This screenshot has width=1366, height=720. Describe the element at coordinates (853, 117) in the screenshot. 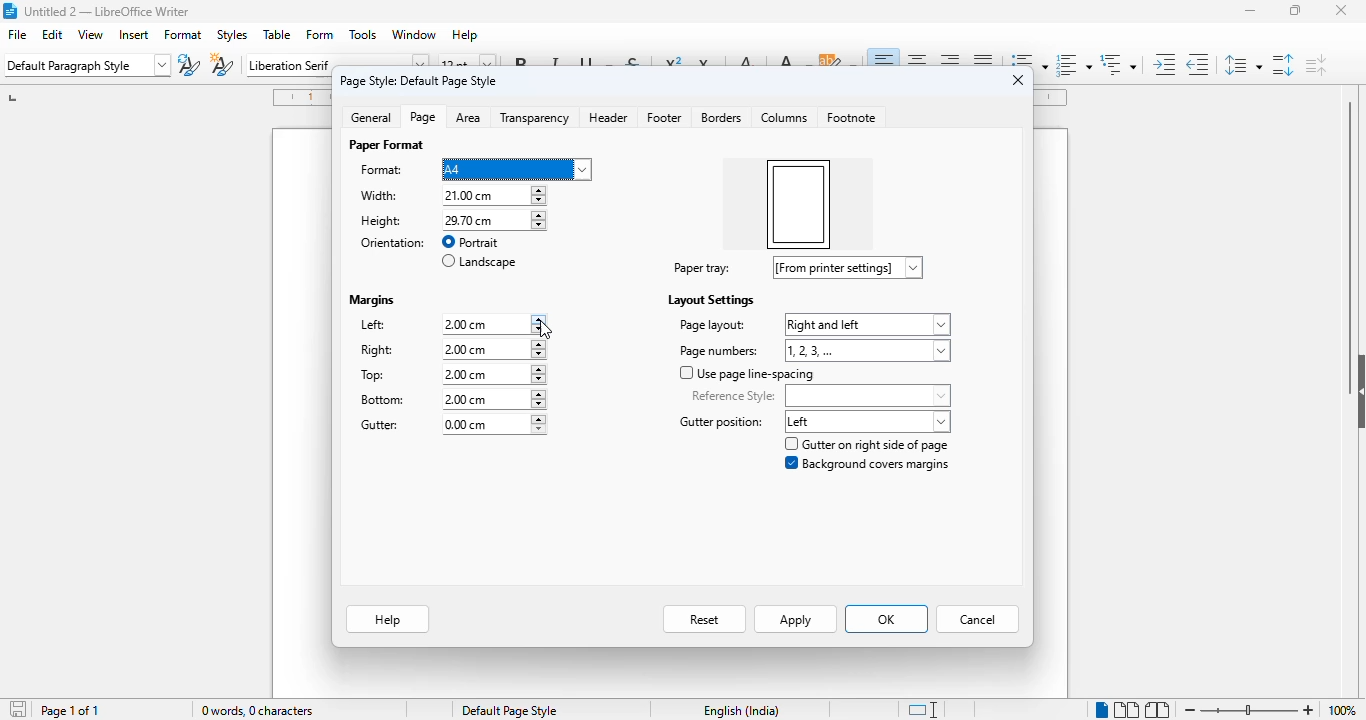

I see `footnote` at that location.